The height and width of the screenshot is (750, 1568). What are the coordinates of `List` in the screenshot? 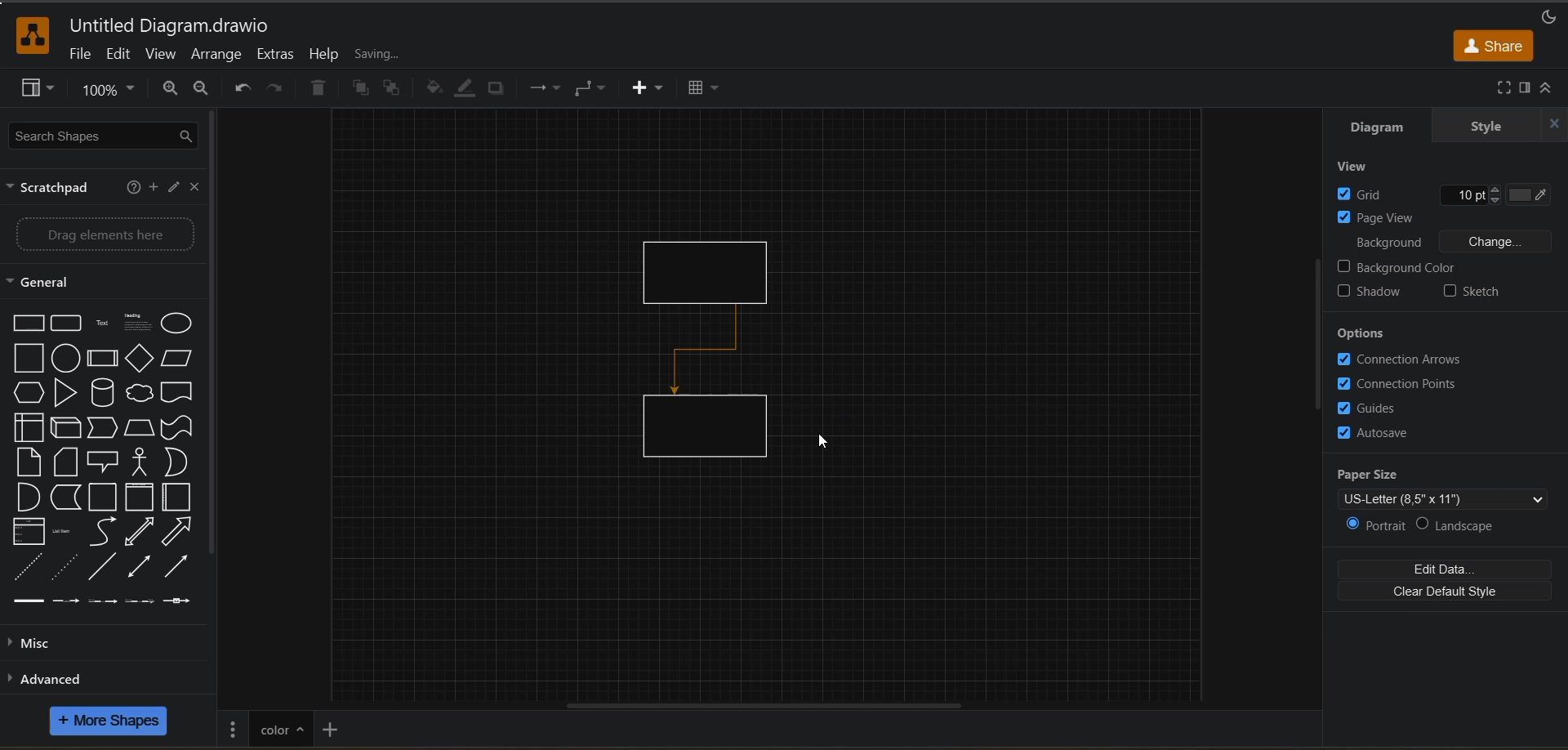 It's located at (28, 532).